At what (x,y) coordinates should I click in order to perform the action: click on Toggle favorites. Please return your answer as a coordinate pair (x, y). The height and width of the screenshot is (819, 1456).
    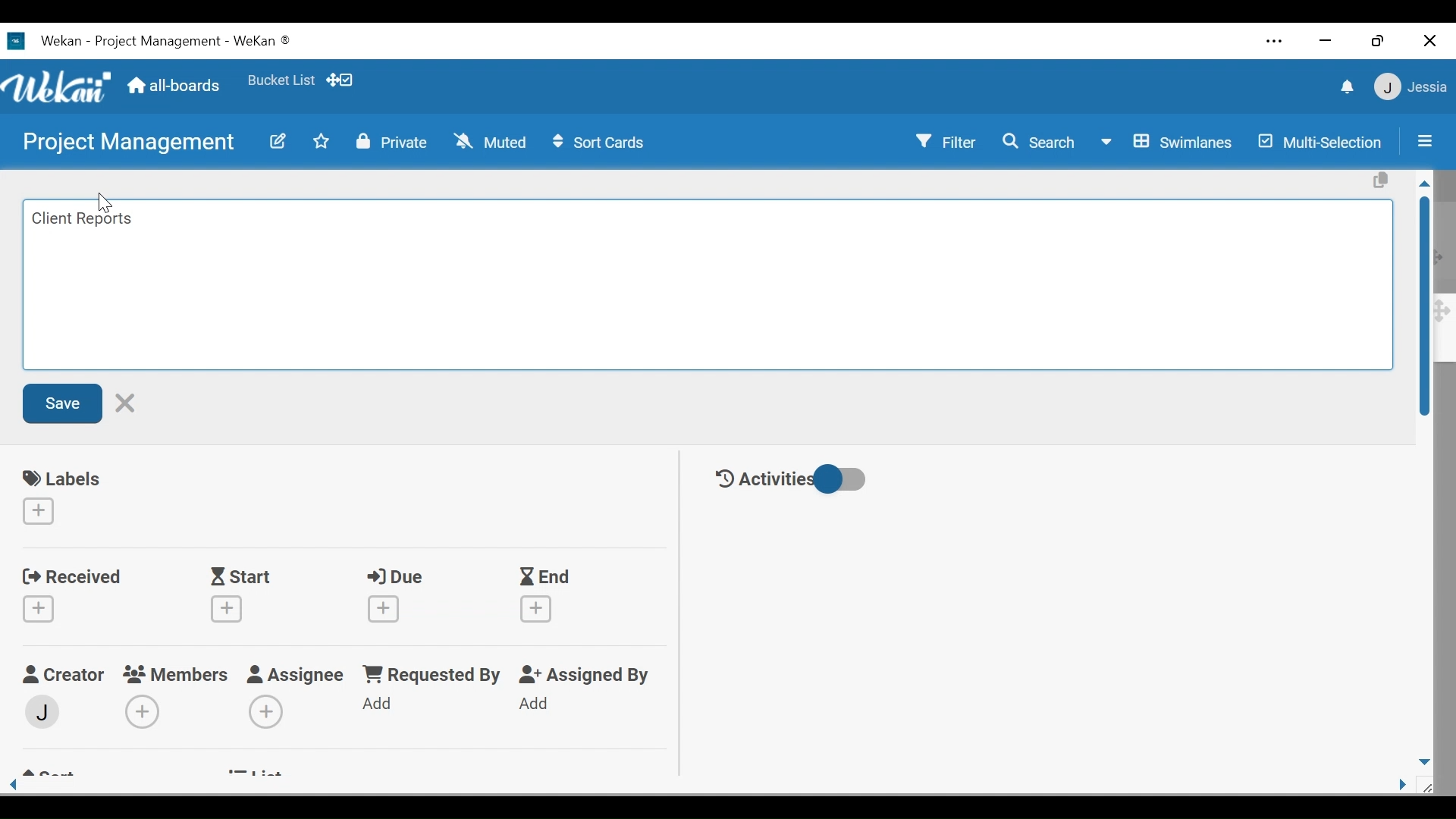
    Looking at the image, I should click on (322, 142).